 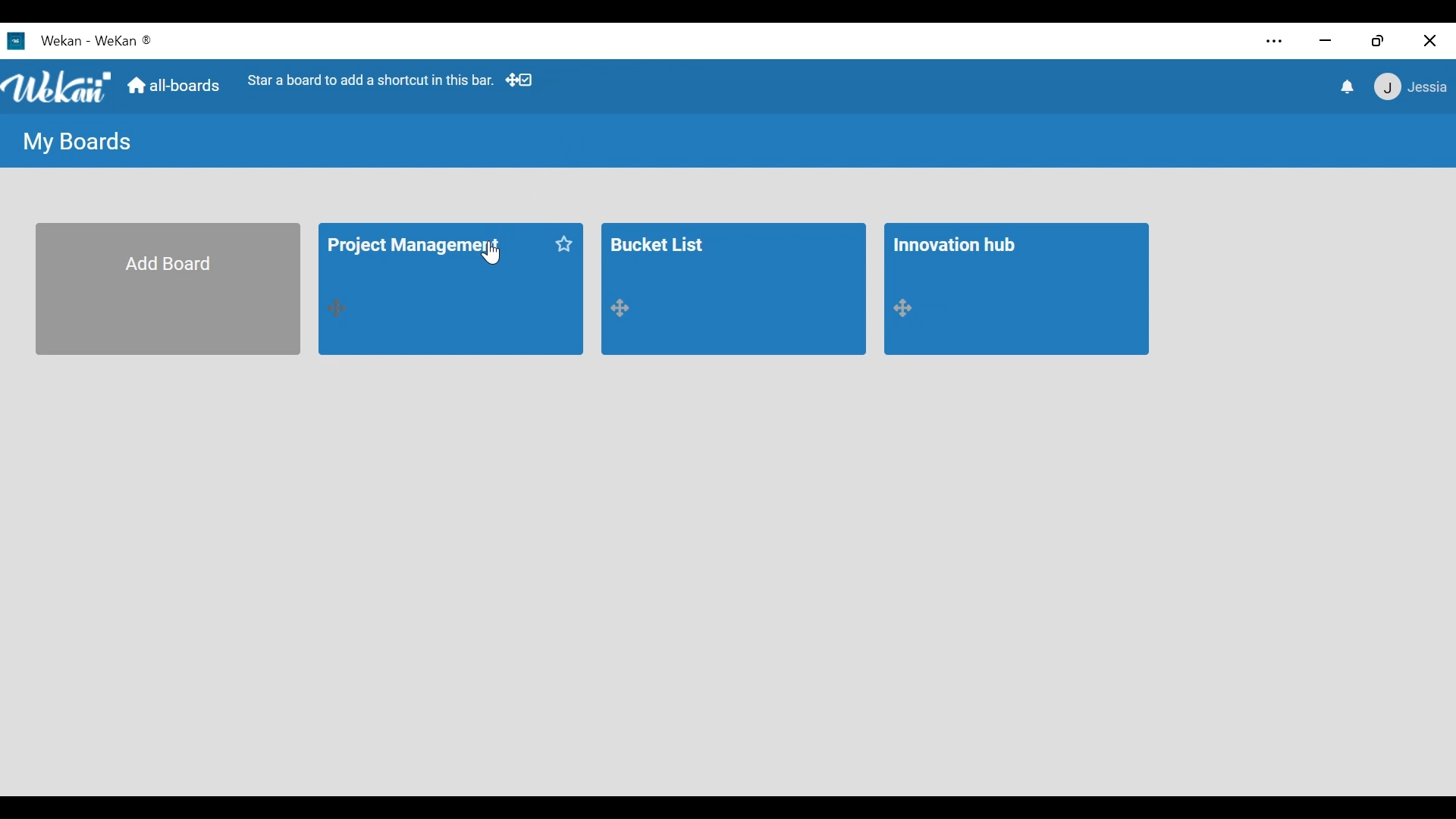 I want to click on Board Title, so click(x=957, y=245).